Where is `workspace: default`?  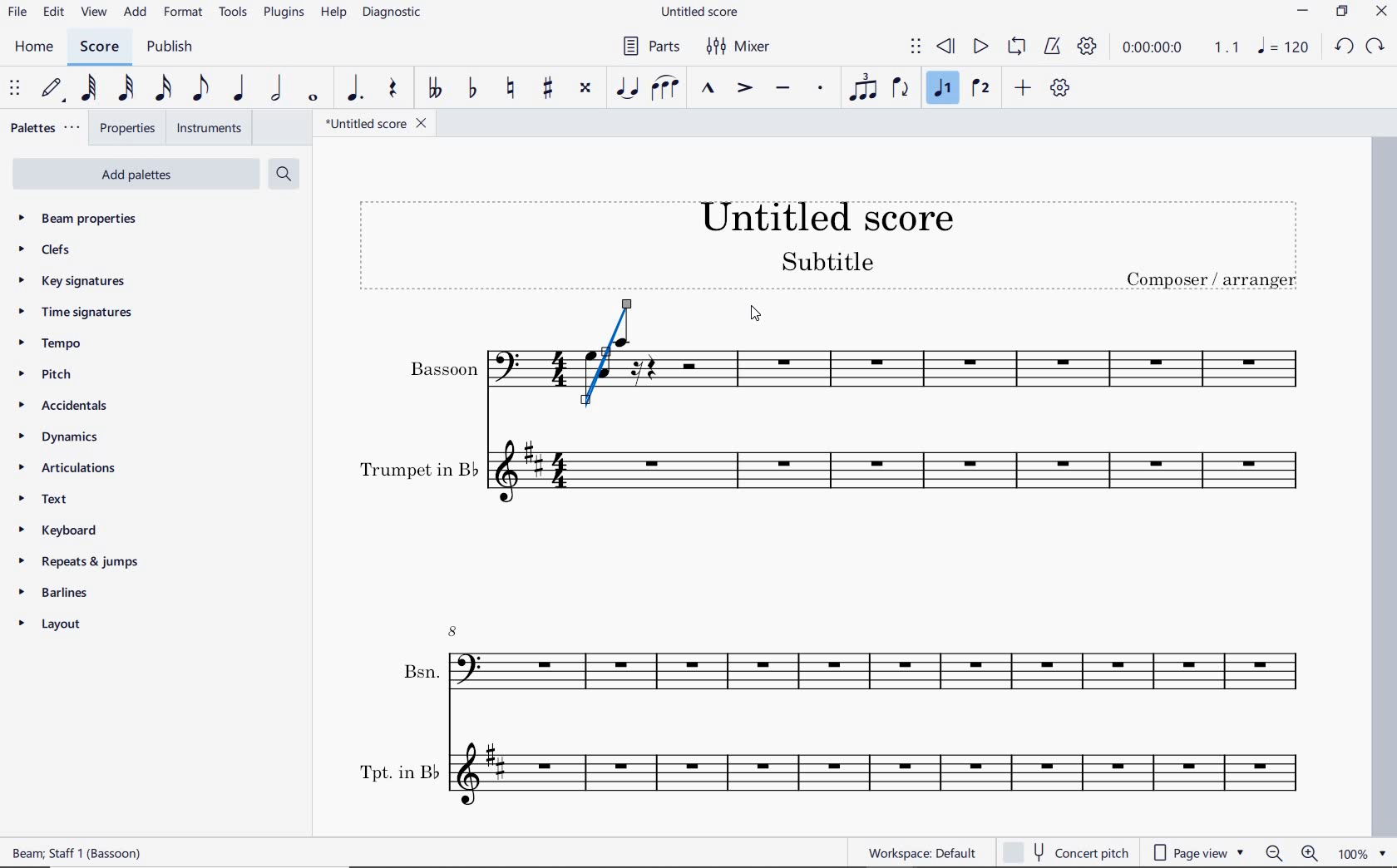
workspace: default is located at coordinates (921, 855).